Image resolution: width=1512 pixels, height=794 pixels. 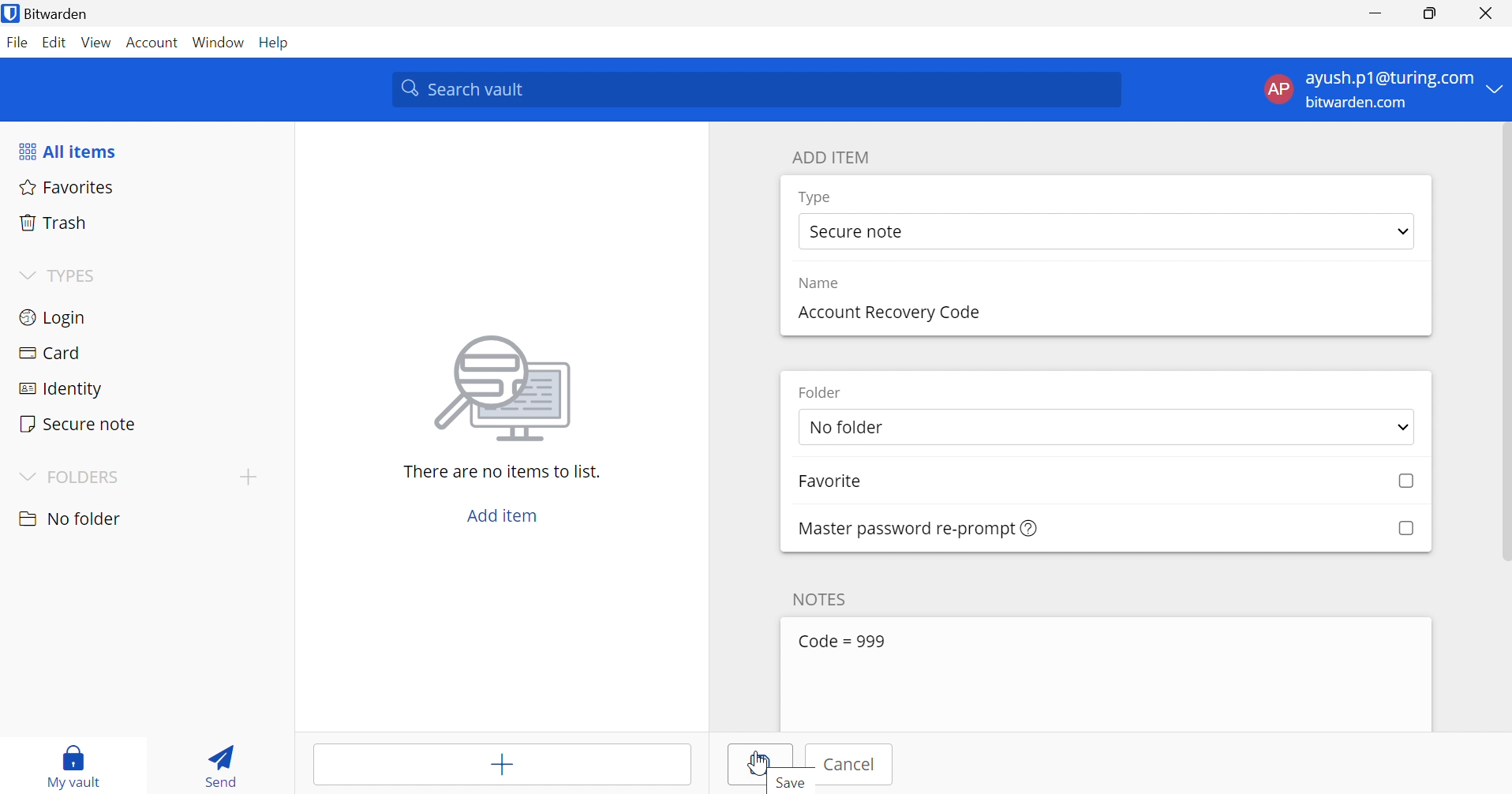 I want to click on All items, so click(x=71, y=153).